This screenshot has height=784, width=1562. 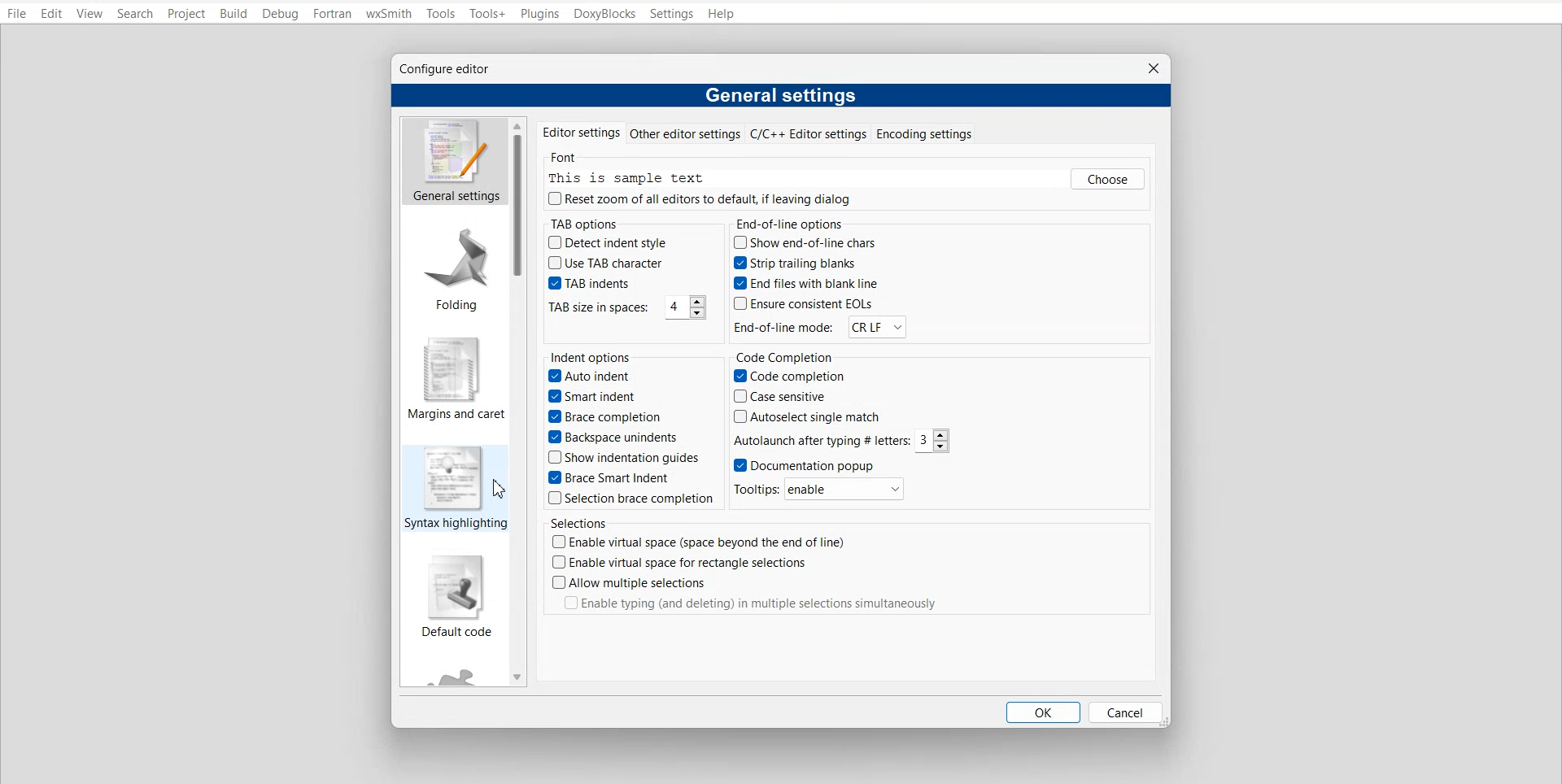 I want to click on Choose, so click(x=1110, y=180).